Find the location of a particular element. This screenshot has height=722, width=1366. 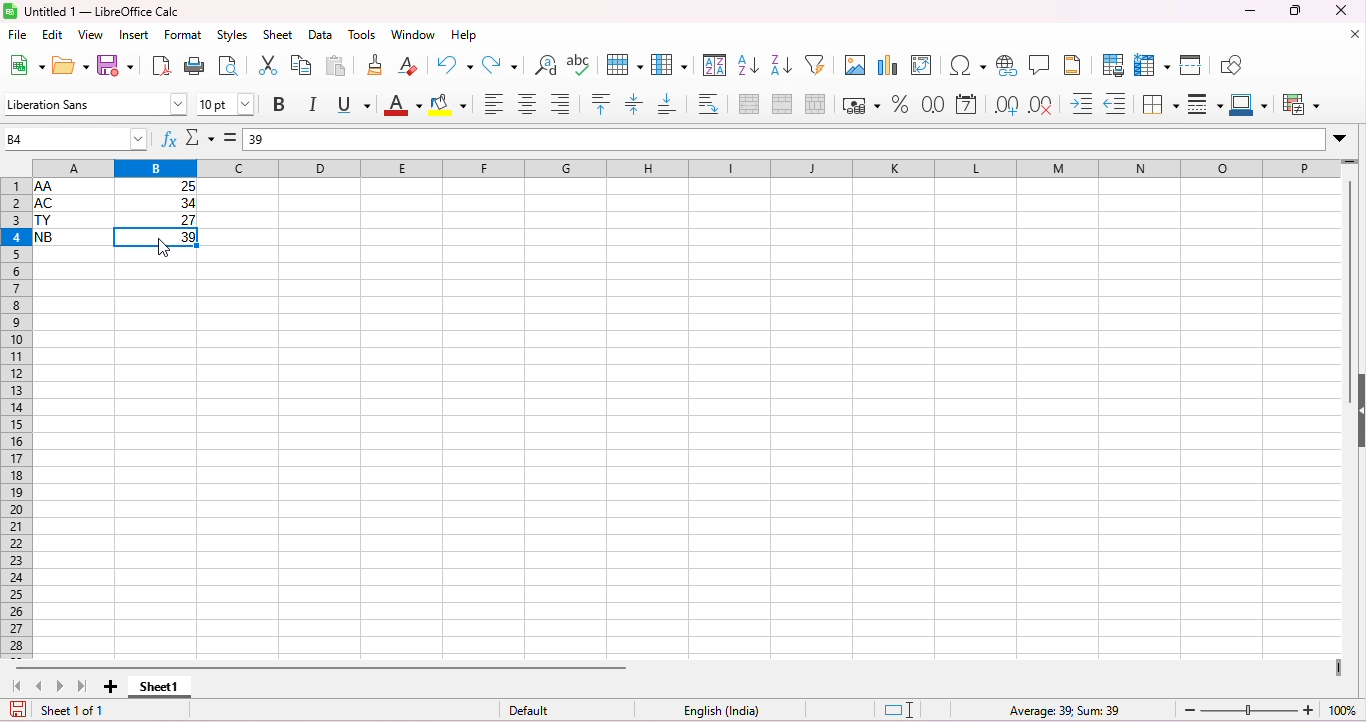

column is located at coordinates (669, 64).